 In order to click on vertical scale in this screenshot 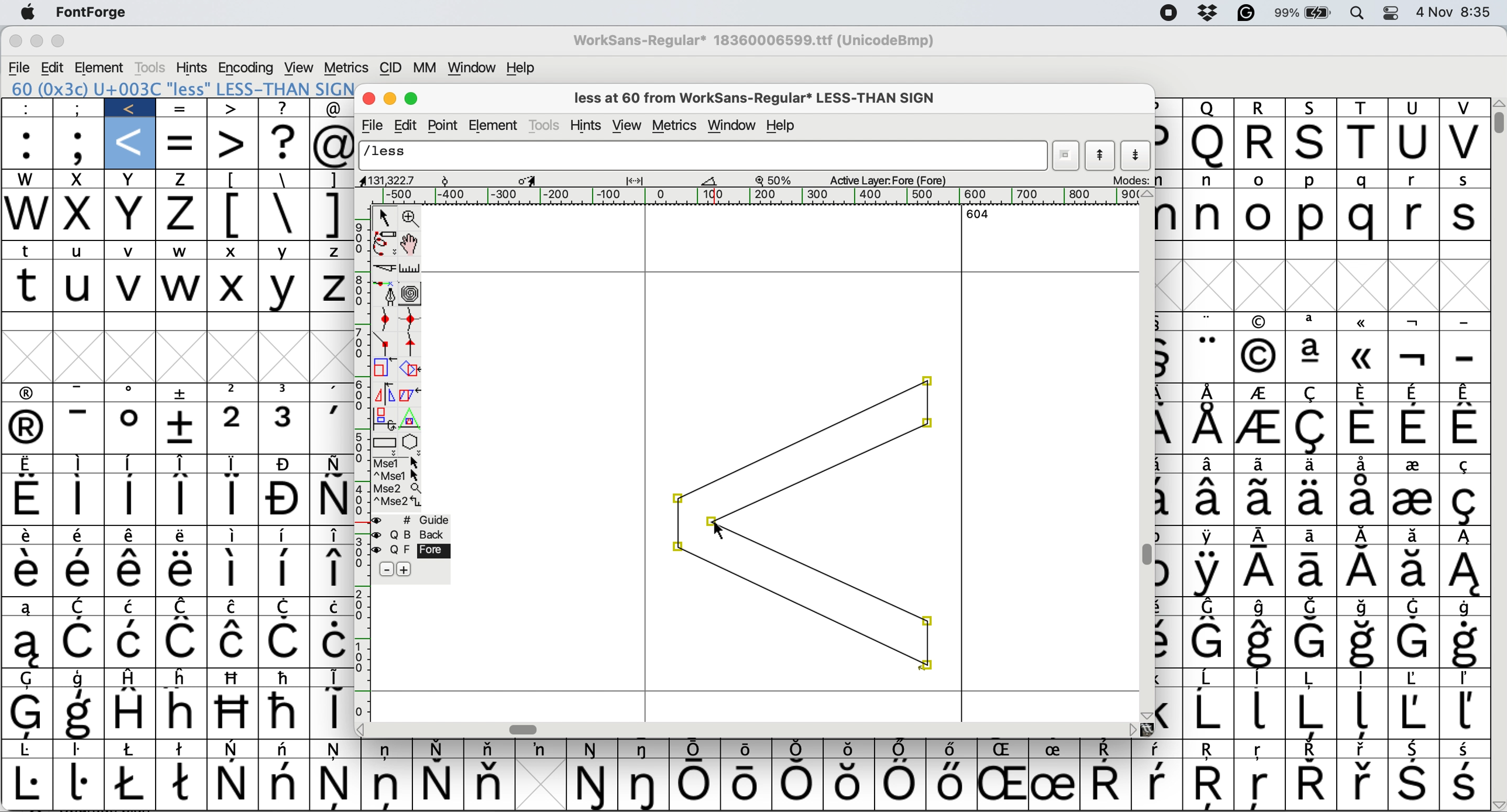, I will do `click(362, 466)`.